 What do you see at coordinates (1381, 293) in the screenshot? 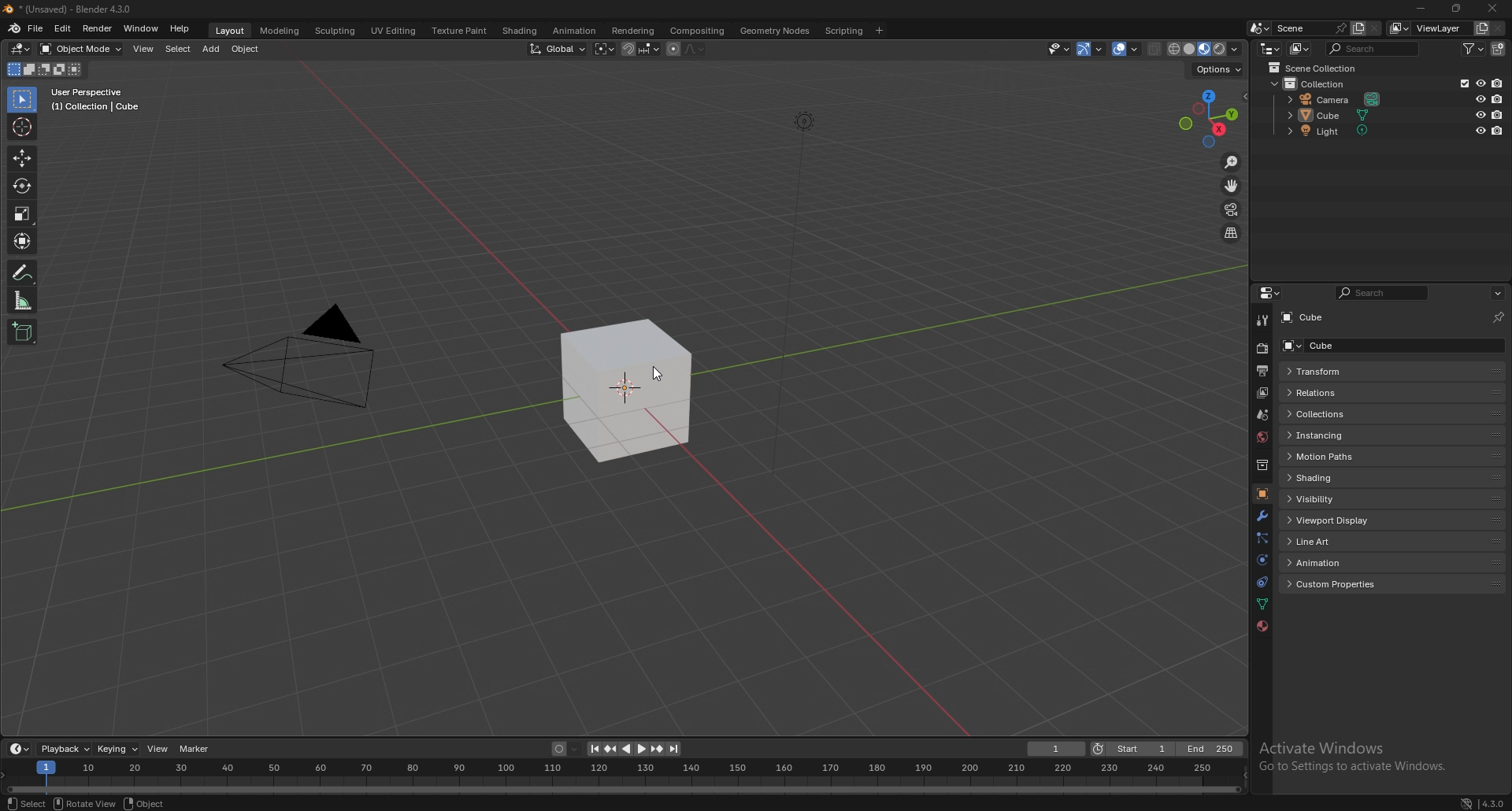
I see `search` at bounding box center [1381, 293].